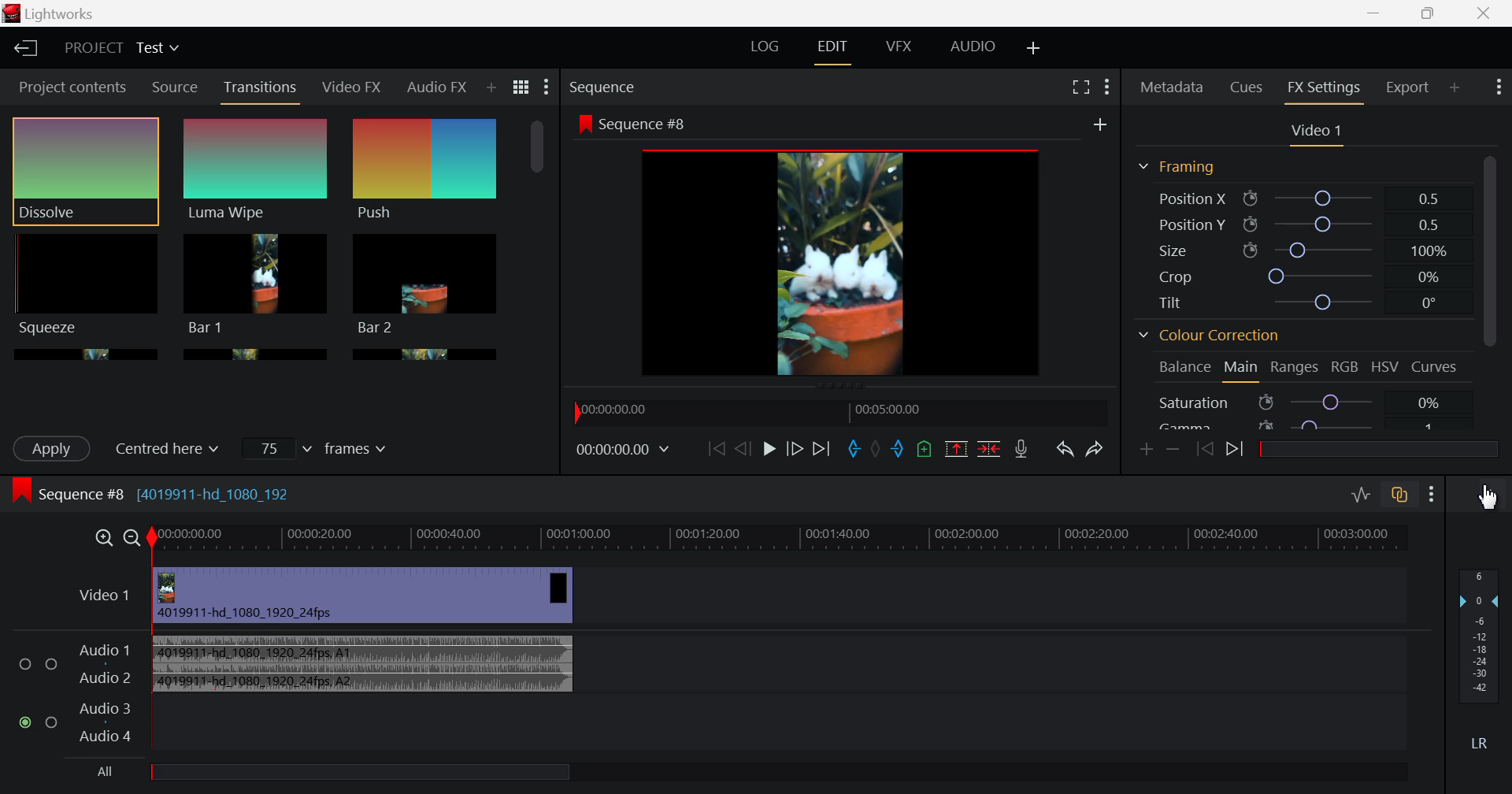 The width and height of the screenshot is (1512, 794). What do you see at coordinates (1183, 368) in the screenshot?
I see `Balance` at bounding box center [1183, 368].